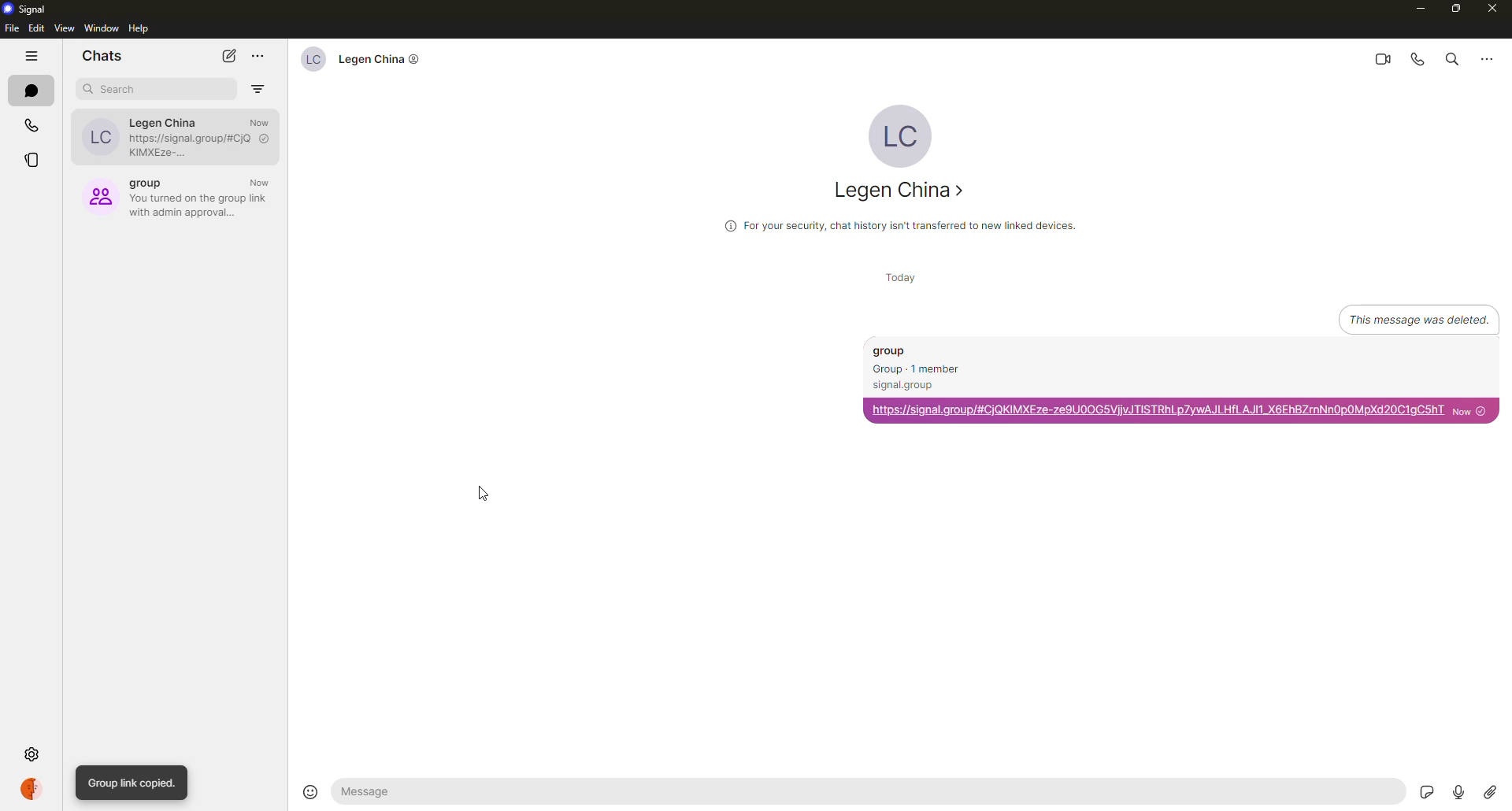 The image size is (1512, 811). What do you see at coordinates (230, 55) in the screenshot?
I see `new chat` at bounding box center [230, 55].